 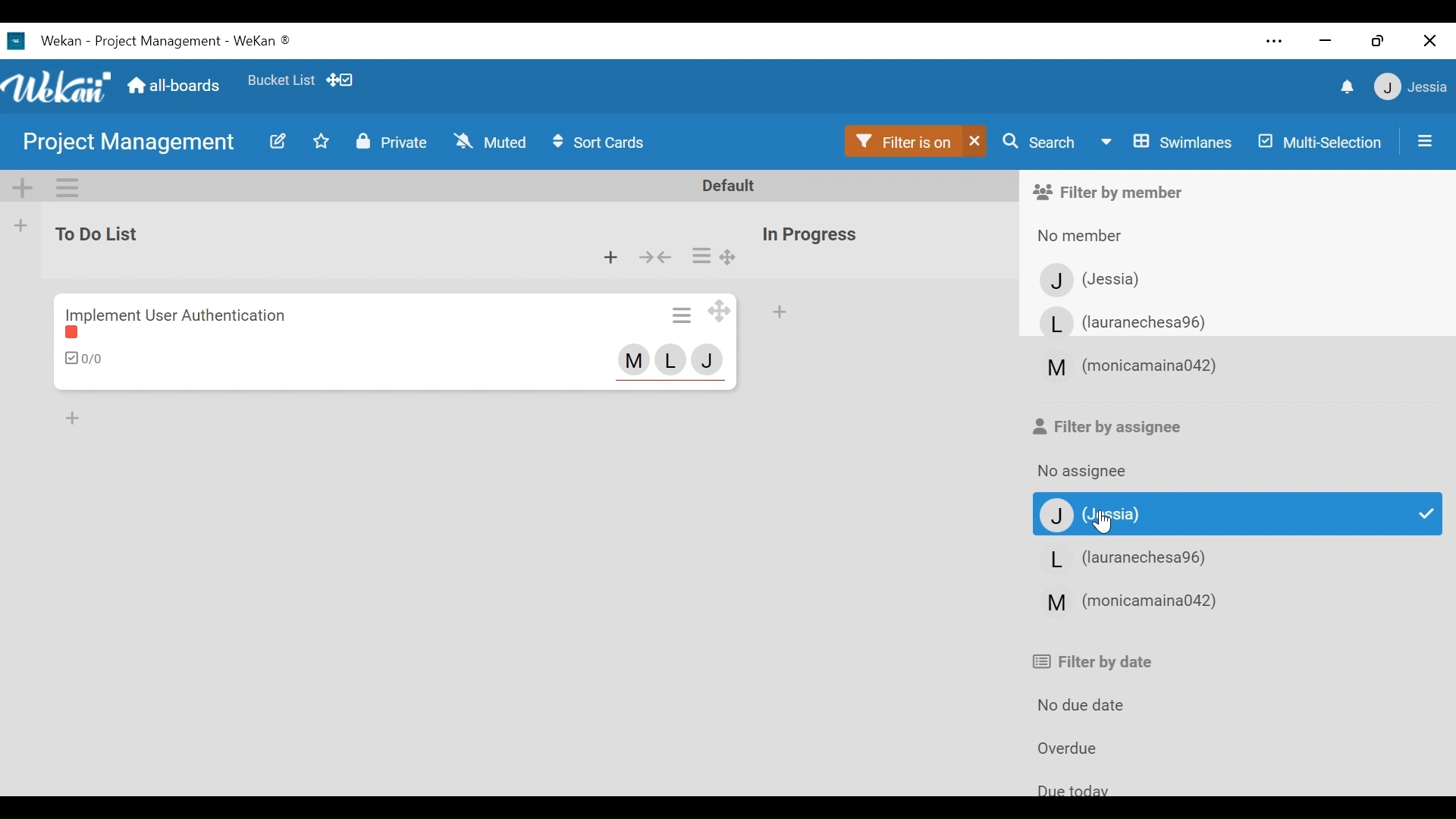 What do you see at coordinates (1126, 320) in the screenshot?
I see `Member` at bounding box center [1126, 320].